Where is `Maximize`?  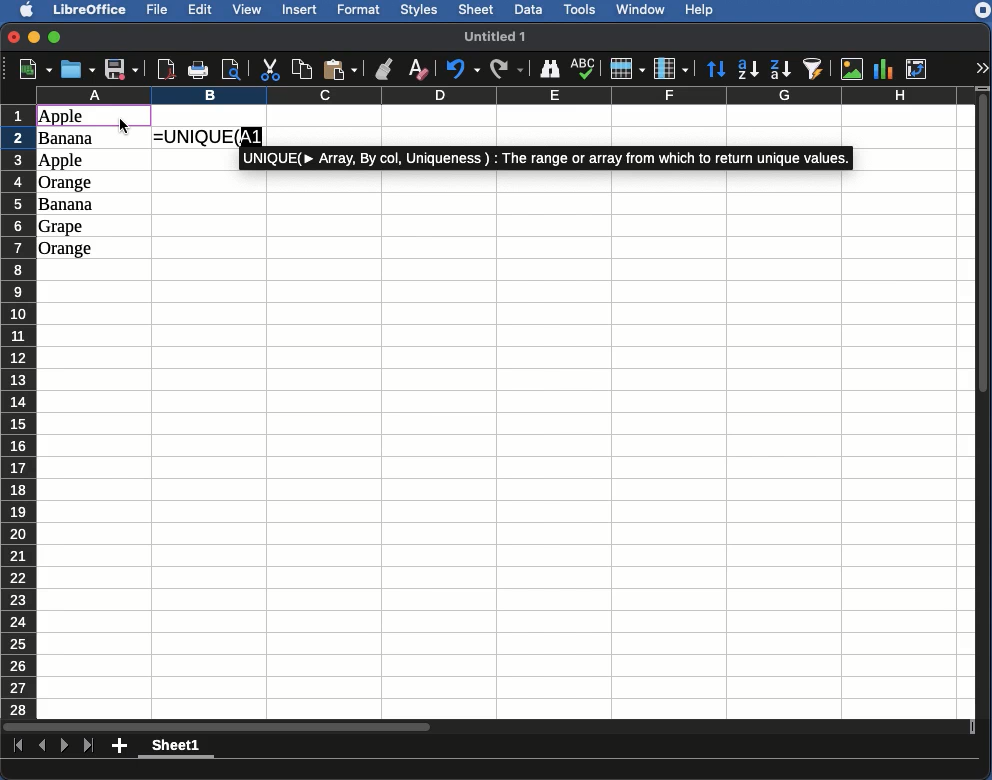 Maximize is located at coordinates (55, 36).